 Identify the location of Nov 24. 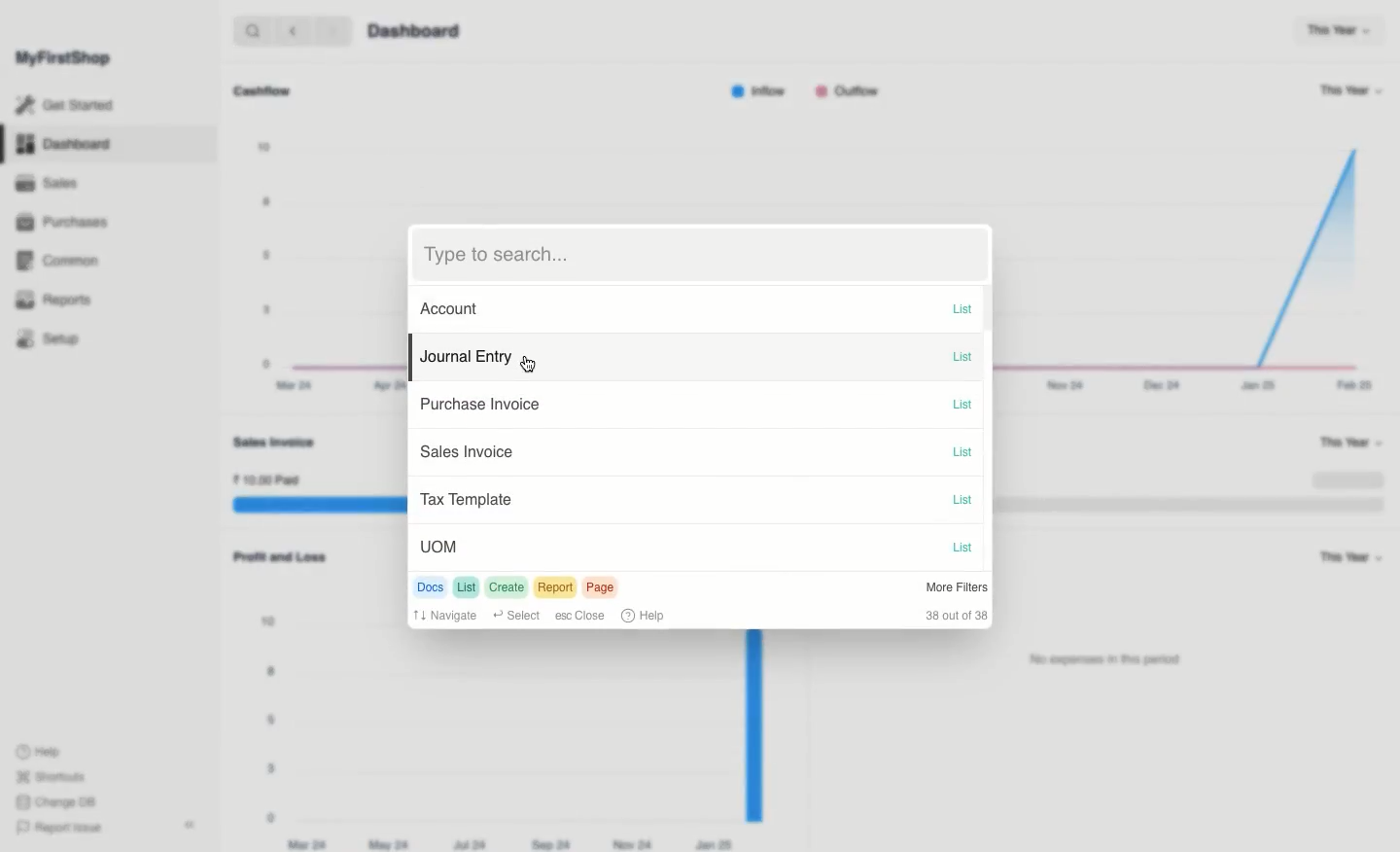
(1068, 385).